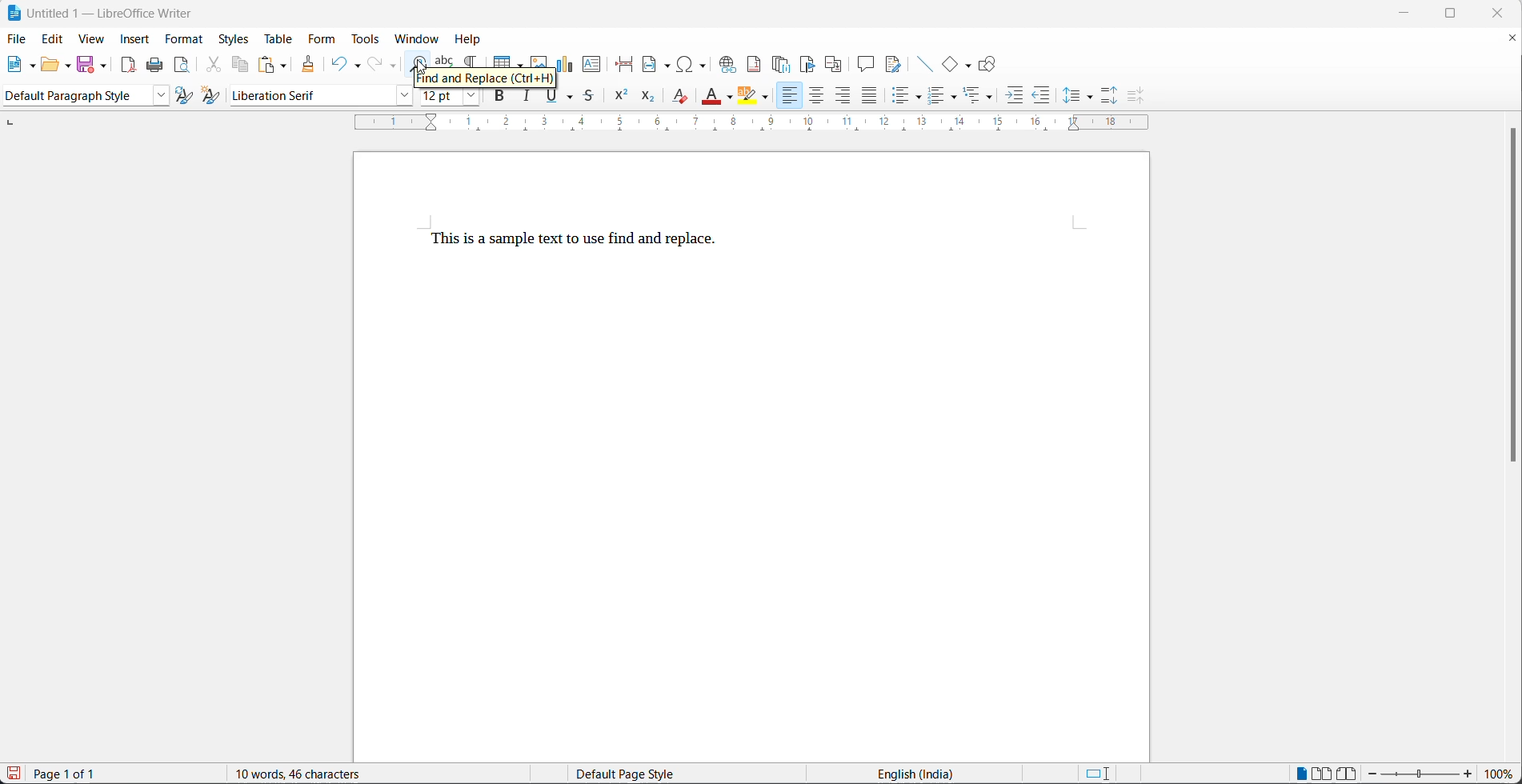  Describe the element at coordinates (1015, 98) in the screenshot. I see `increase indent` at that location.